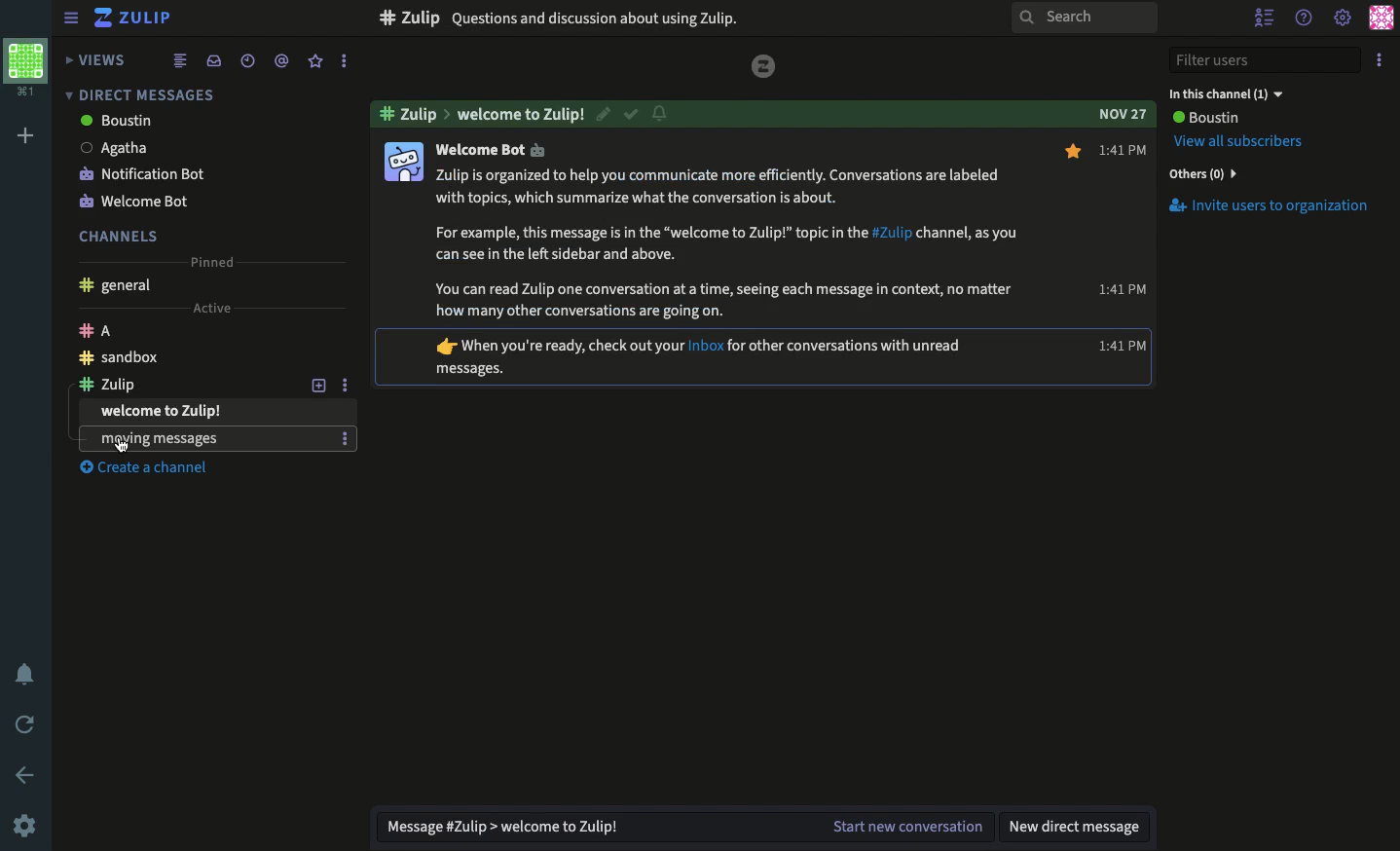 The height and width of the screenshot is (851, 1400). What do you see at coordinates (245, 60) in the screenshot?
I see `Time` at bounding box center [245, 60].